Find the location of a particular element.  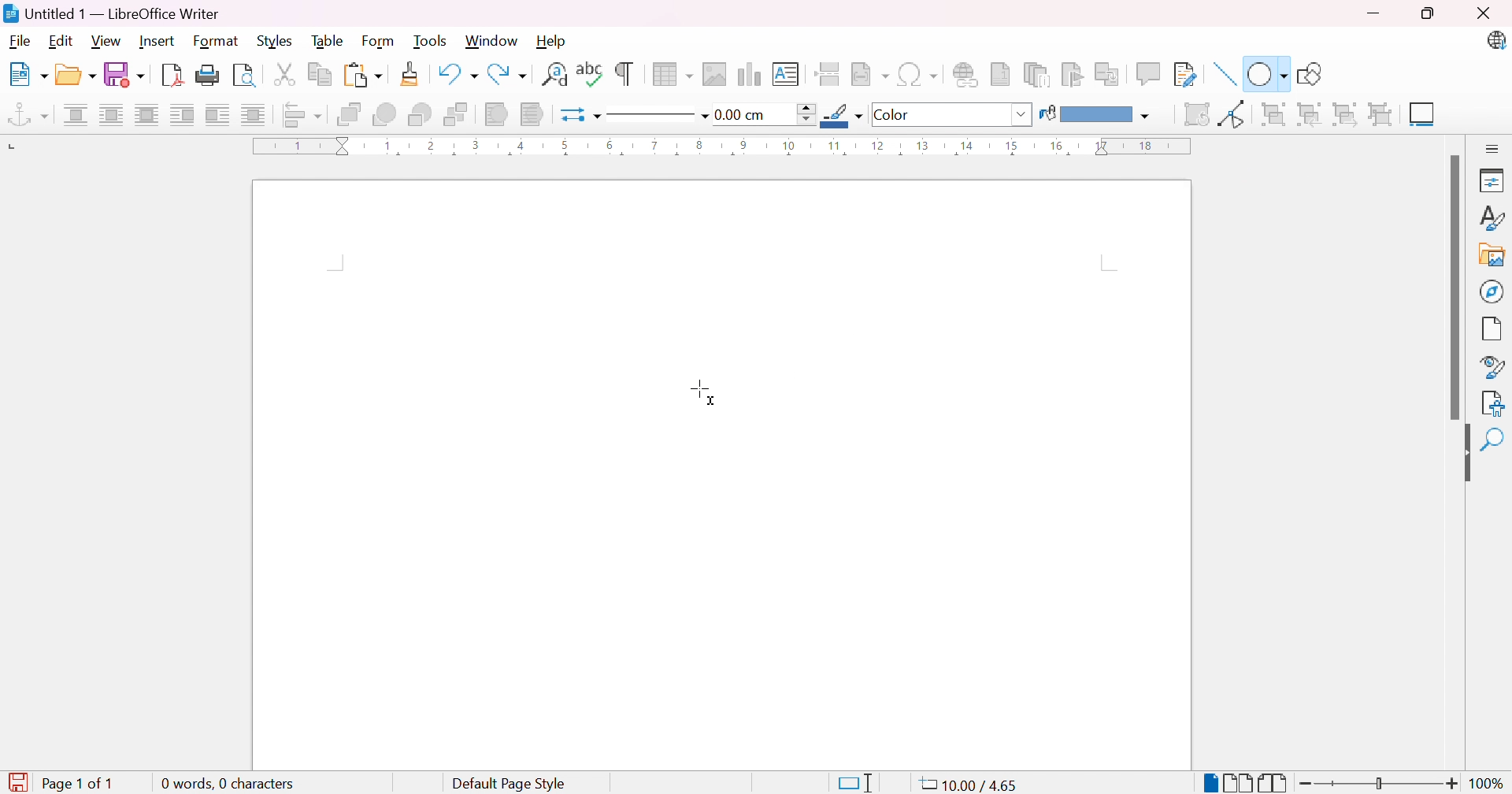

Insert line is located at coordinates (1226, 74).